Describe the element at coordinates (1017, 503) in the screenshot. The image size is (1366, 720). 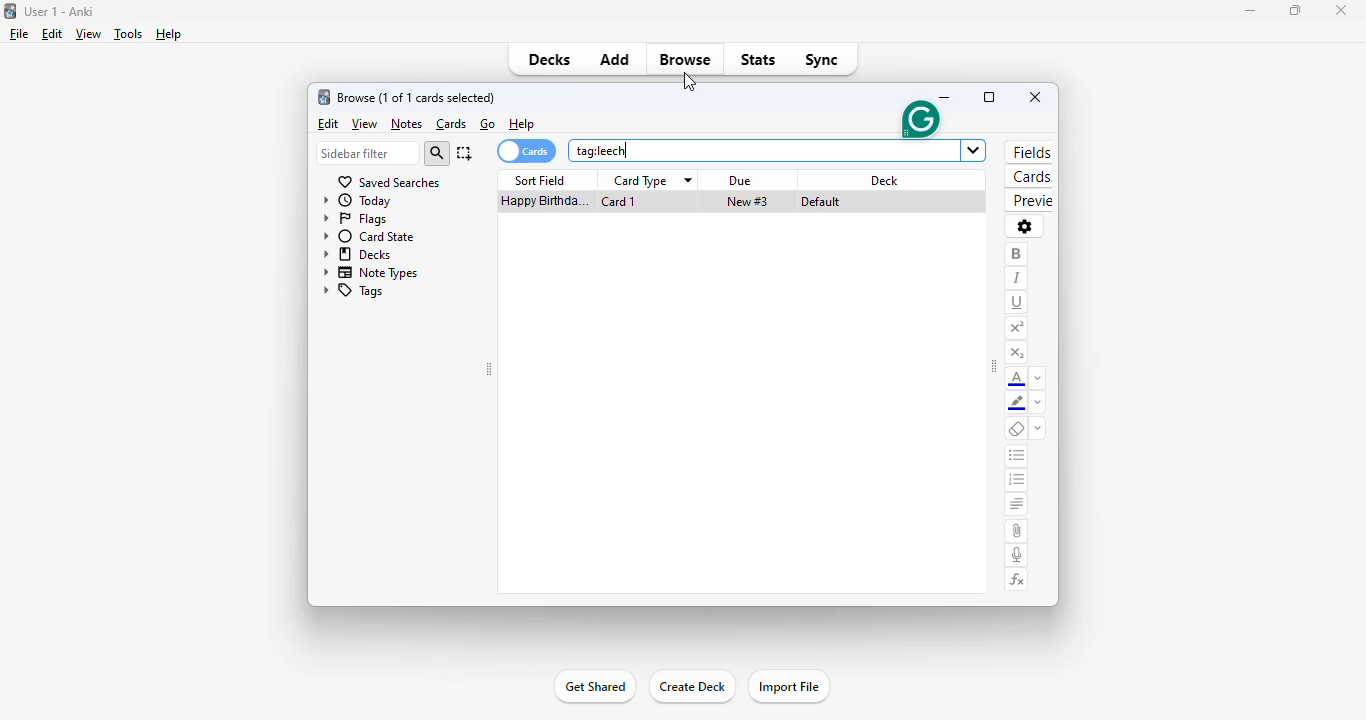
I see `alignment` at that location.